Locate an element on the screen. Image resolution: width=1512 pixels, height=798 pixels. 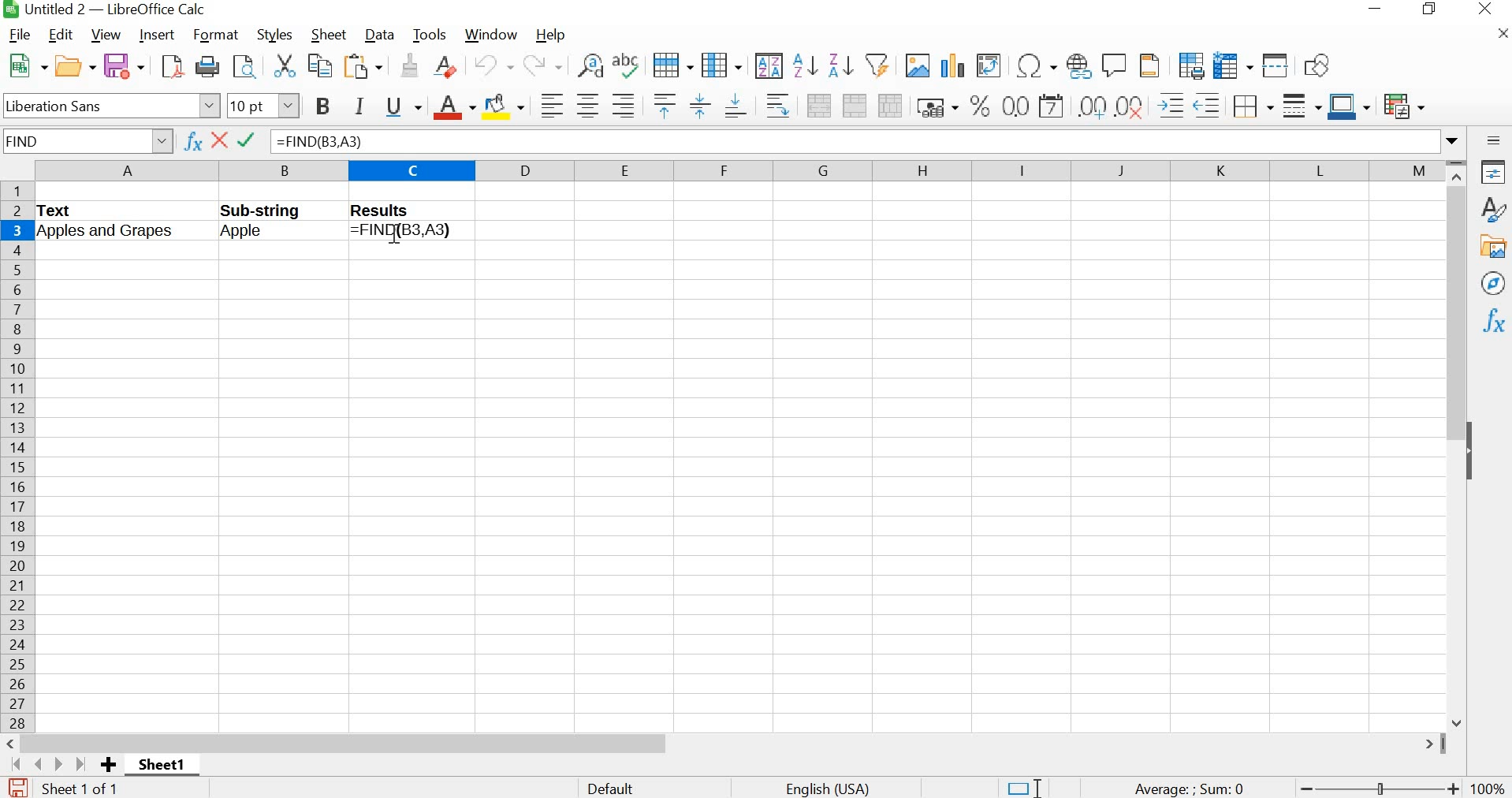
functions is located at coordinates (1495, 320).